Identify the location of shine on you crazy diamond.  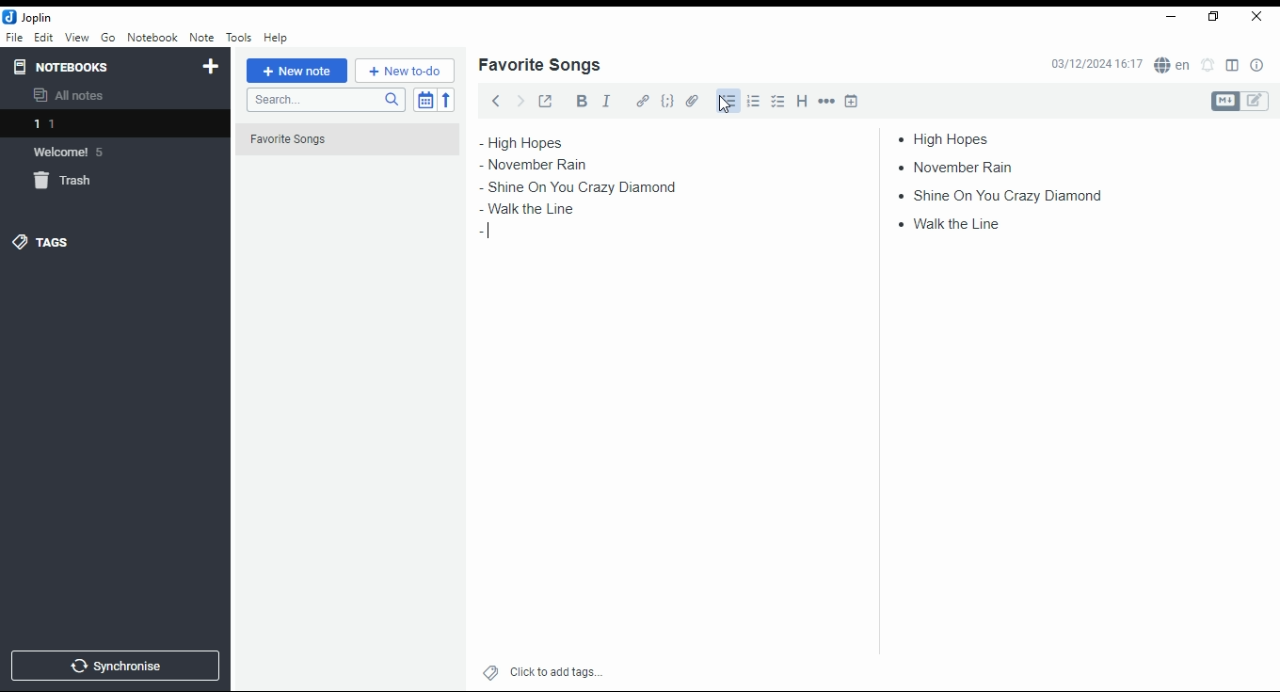
(997, 194).